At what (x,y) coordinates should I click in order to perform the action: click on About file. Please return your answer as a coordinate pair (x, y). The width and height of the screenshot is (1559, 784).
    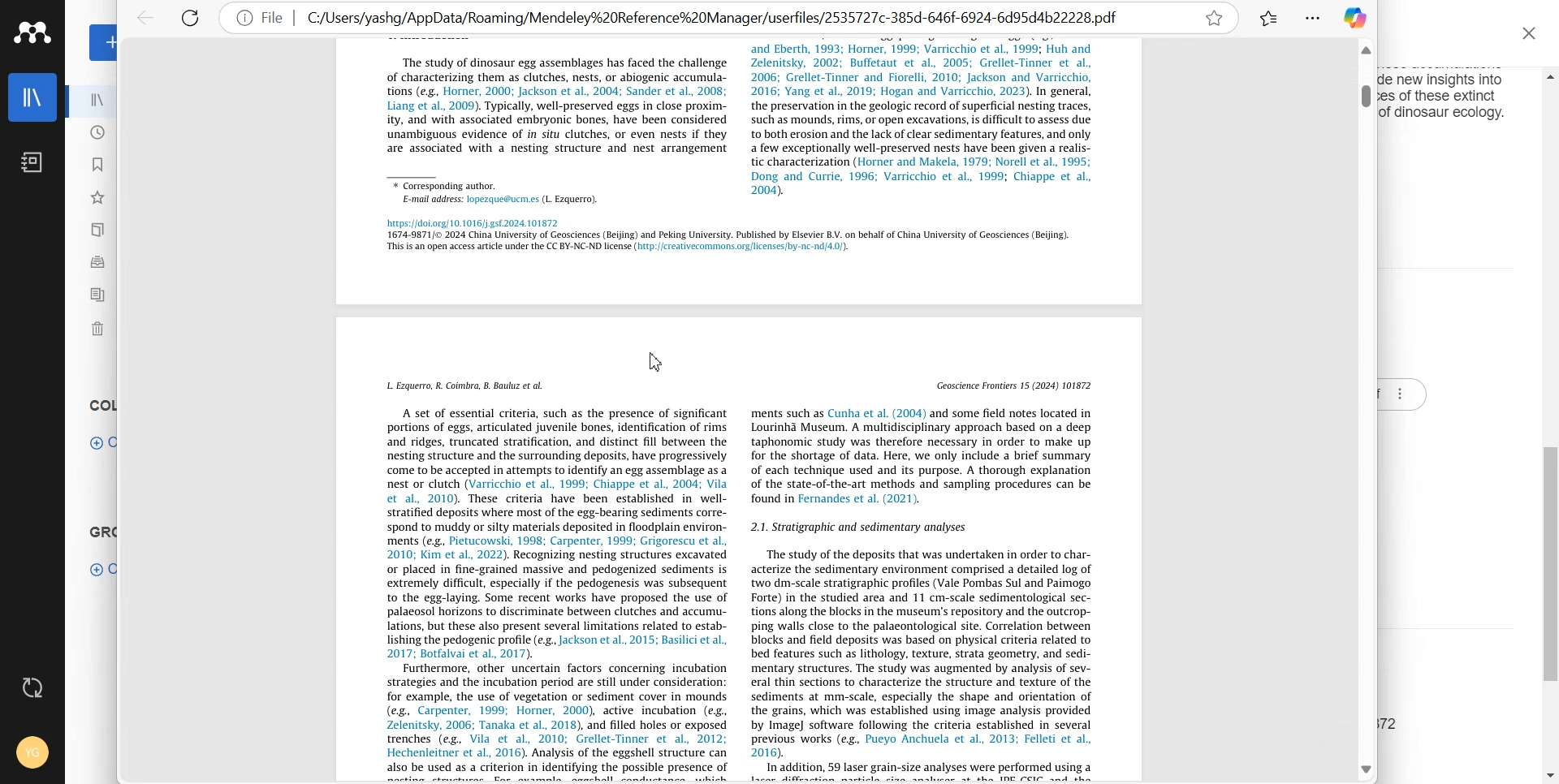
    Looking at the image, I should click on (260, 17).